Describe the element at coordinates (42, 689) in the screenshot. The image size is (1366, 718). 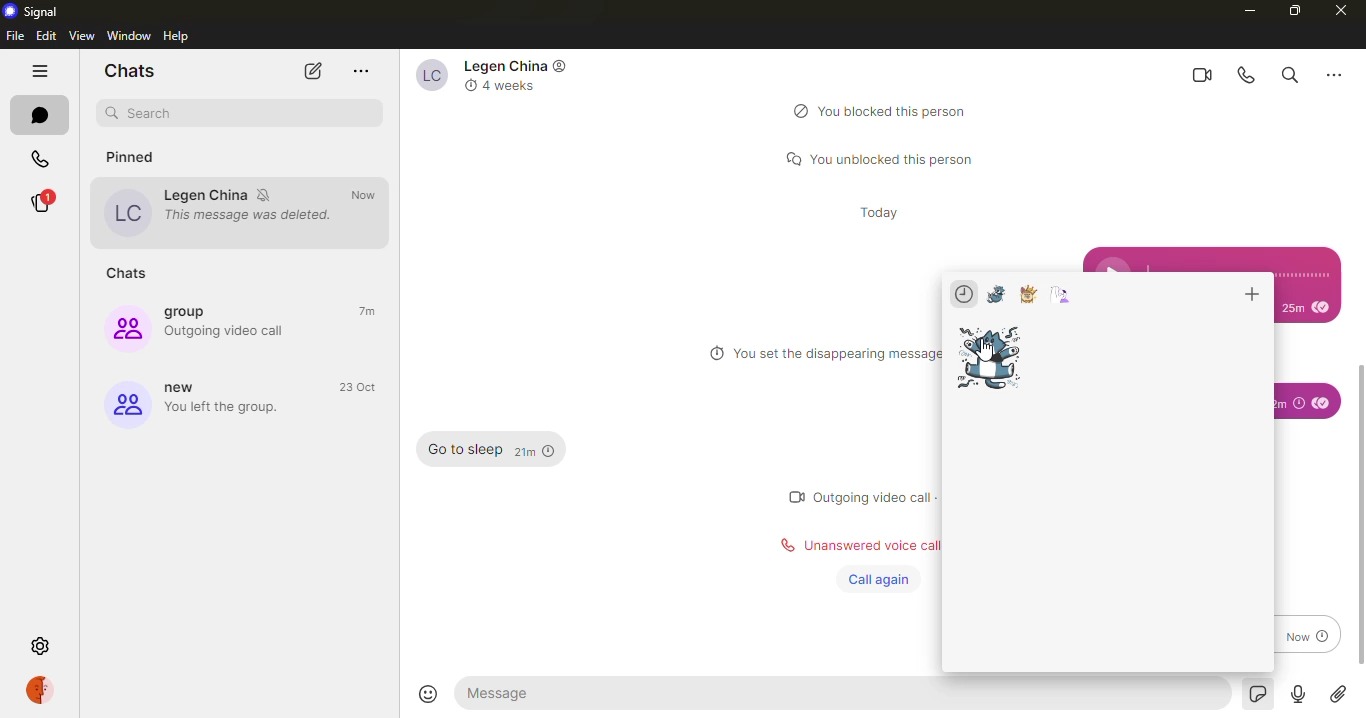
I see `profile` at that location.